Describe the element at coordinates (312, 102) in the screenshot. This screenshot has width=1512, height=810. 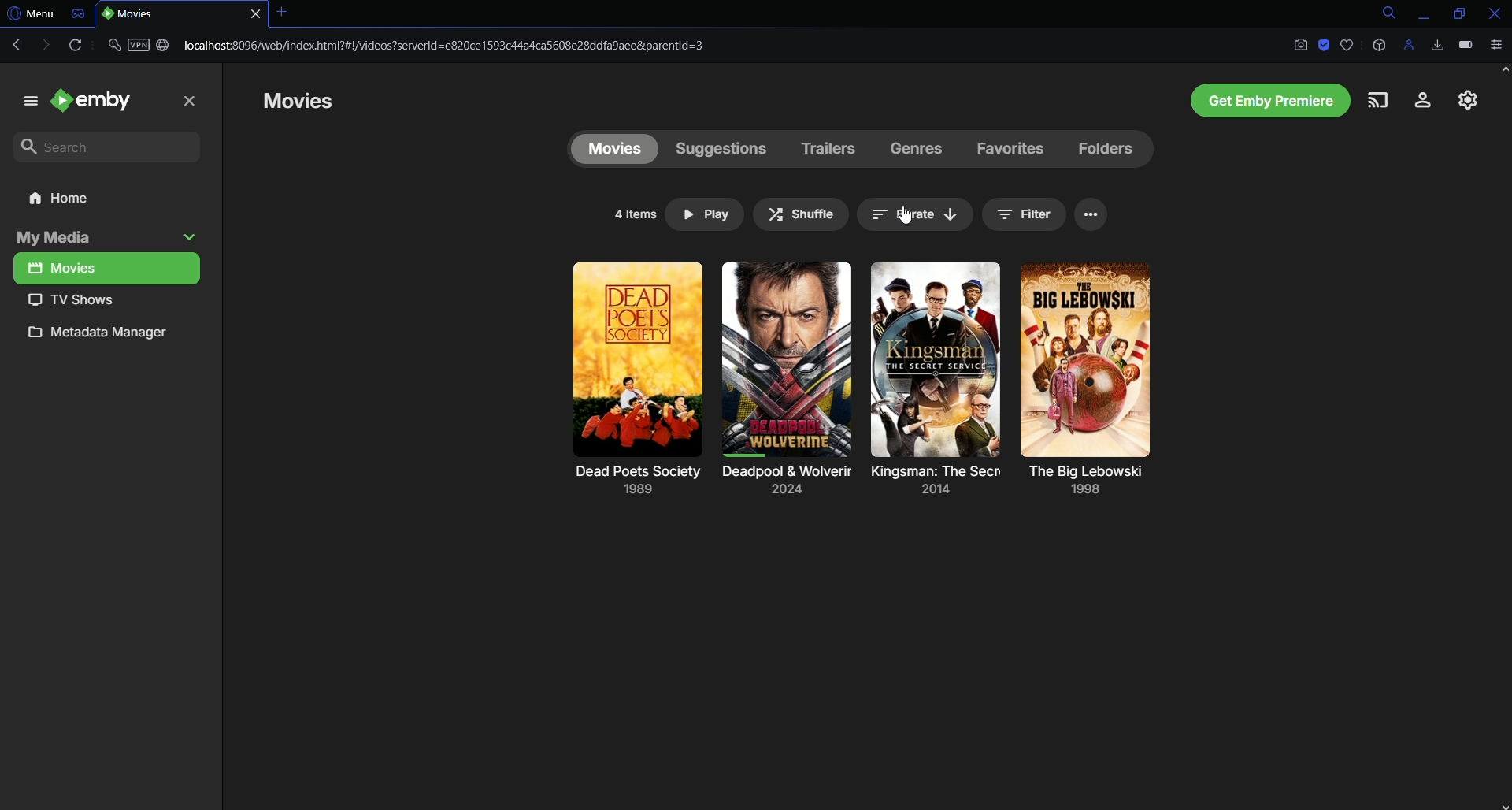
I see `Movies` at that location.